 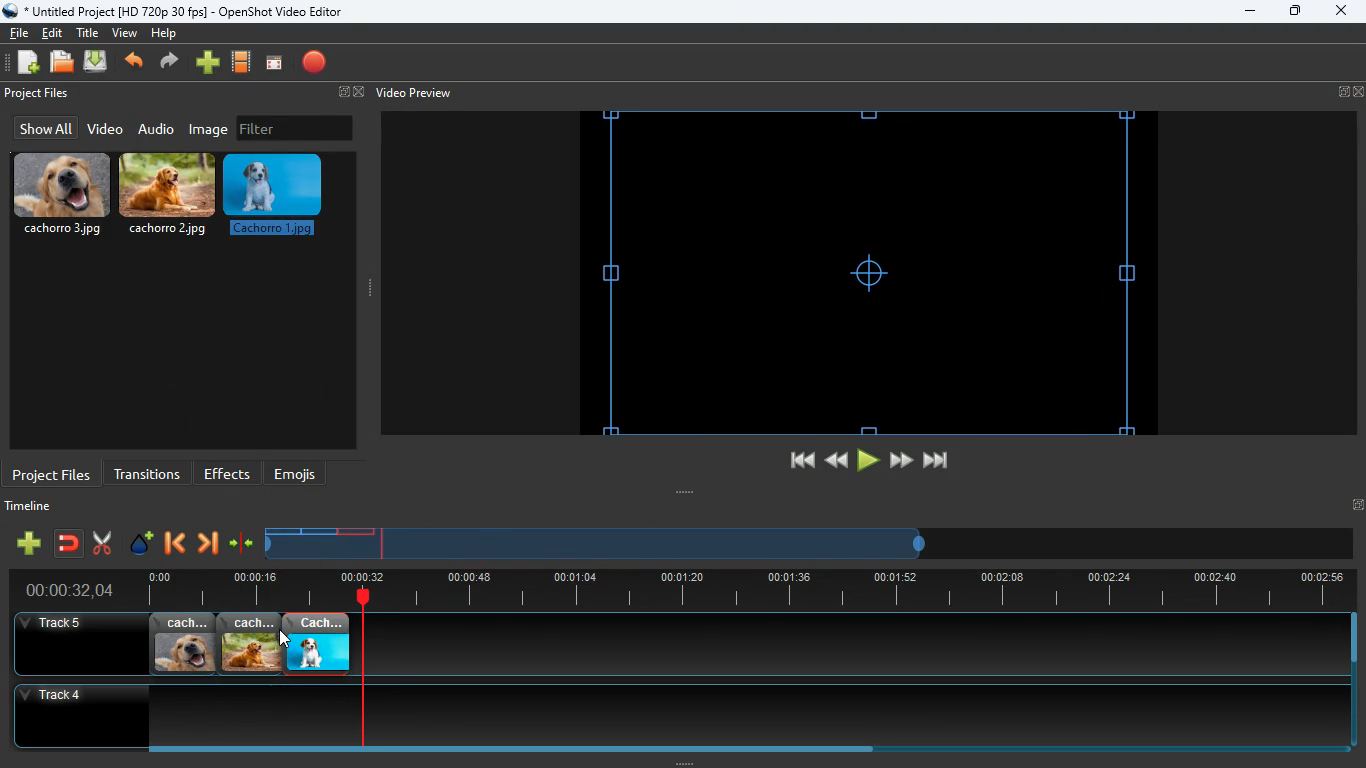 I want to click on record, so click(x=316, y=64).